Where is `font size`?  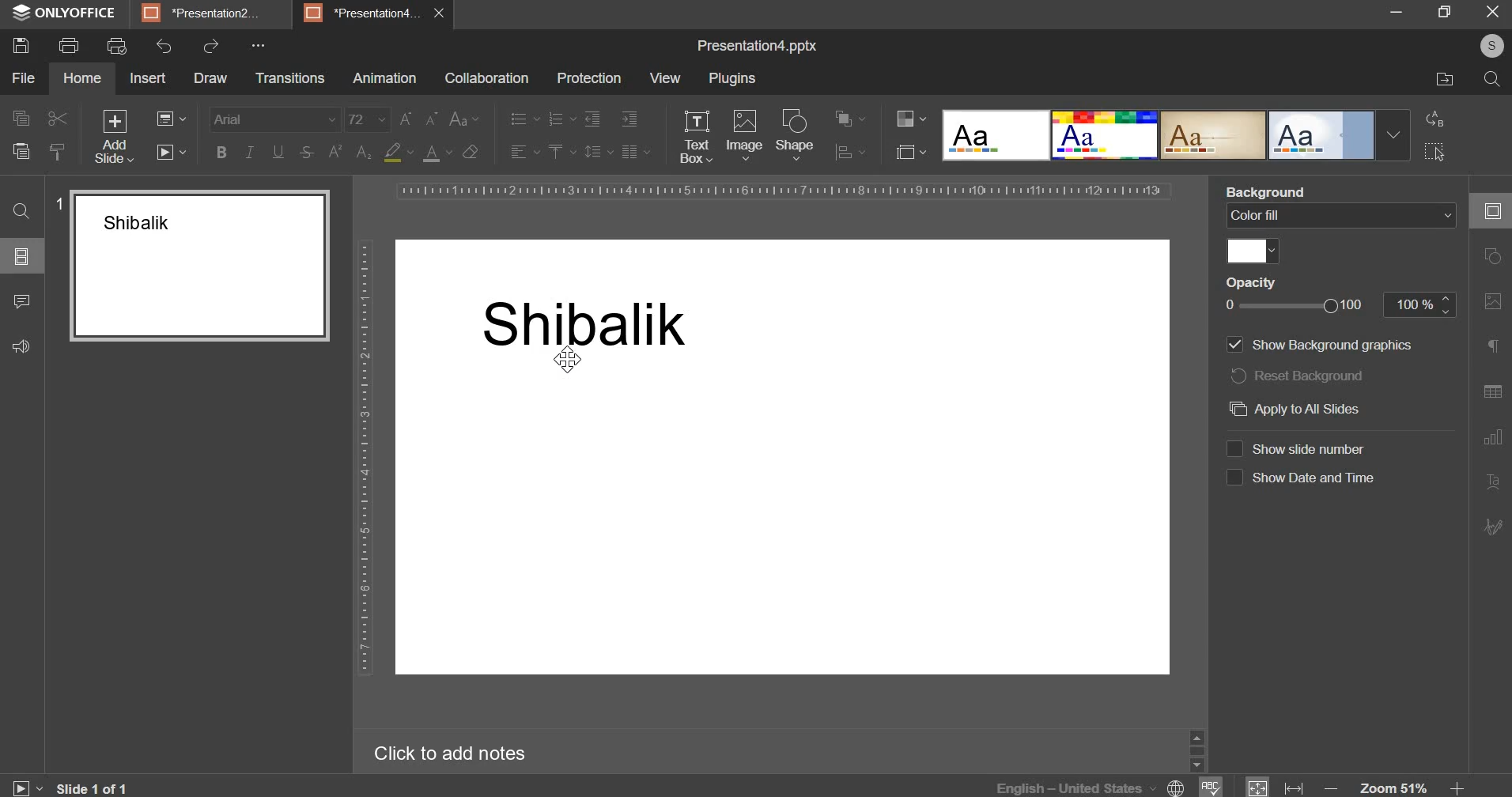
font size is located at coordinates (367, 119).